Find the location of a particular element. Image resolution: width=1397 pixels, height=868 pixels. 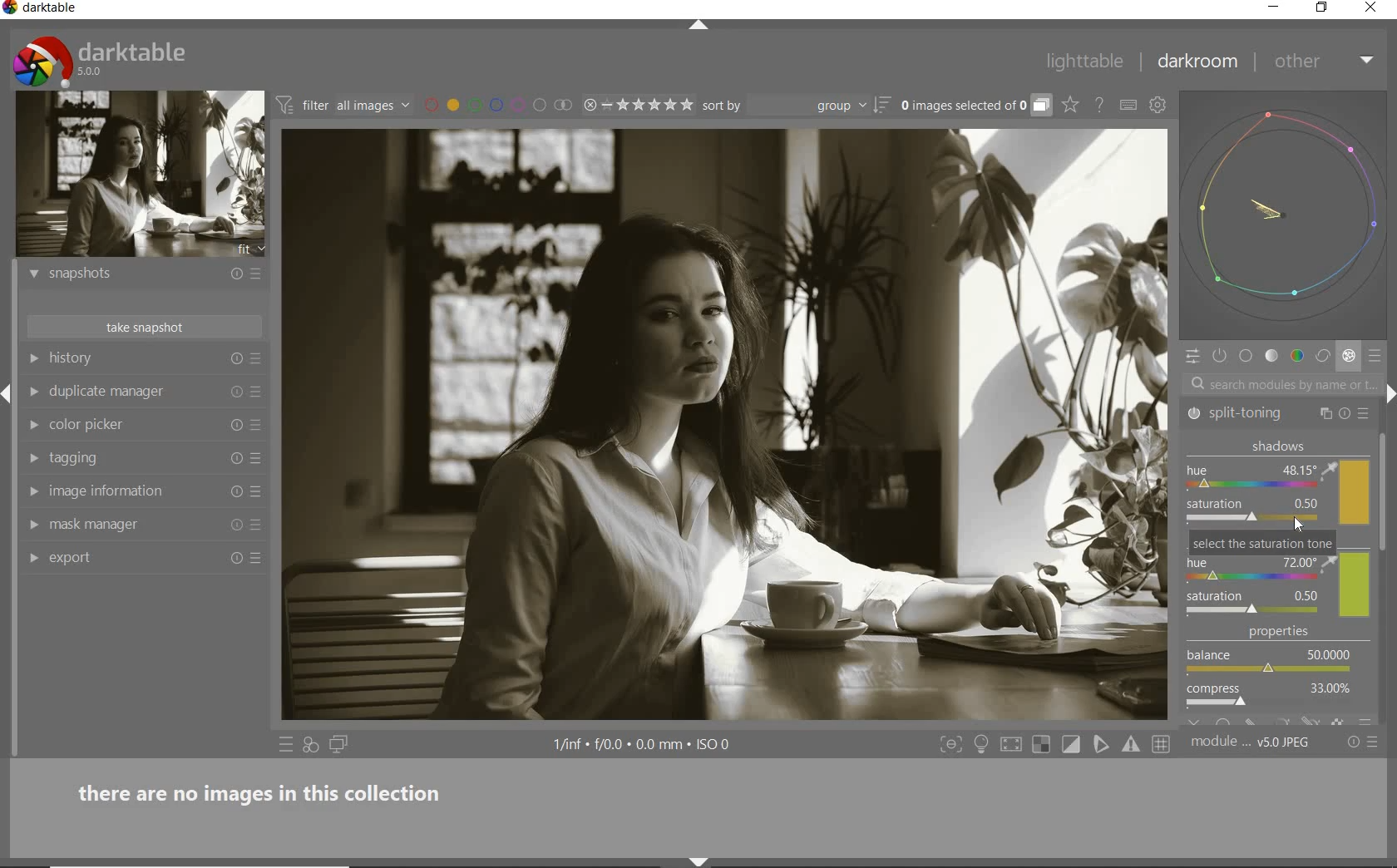

system name is located at coordinates (42, 9).